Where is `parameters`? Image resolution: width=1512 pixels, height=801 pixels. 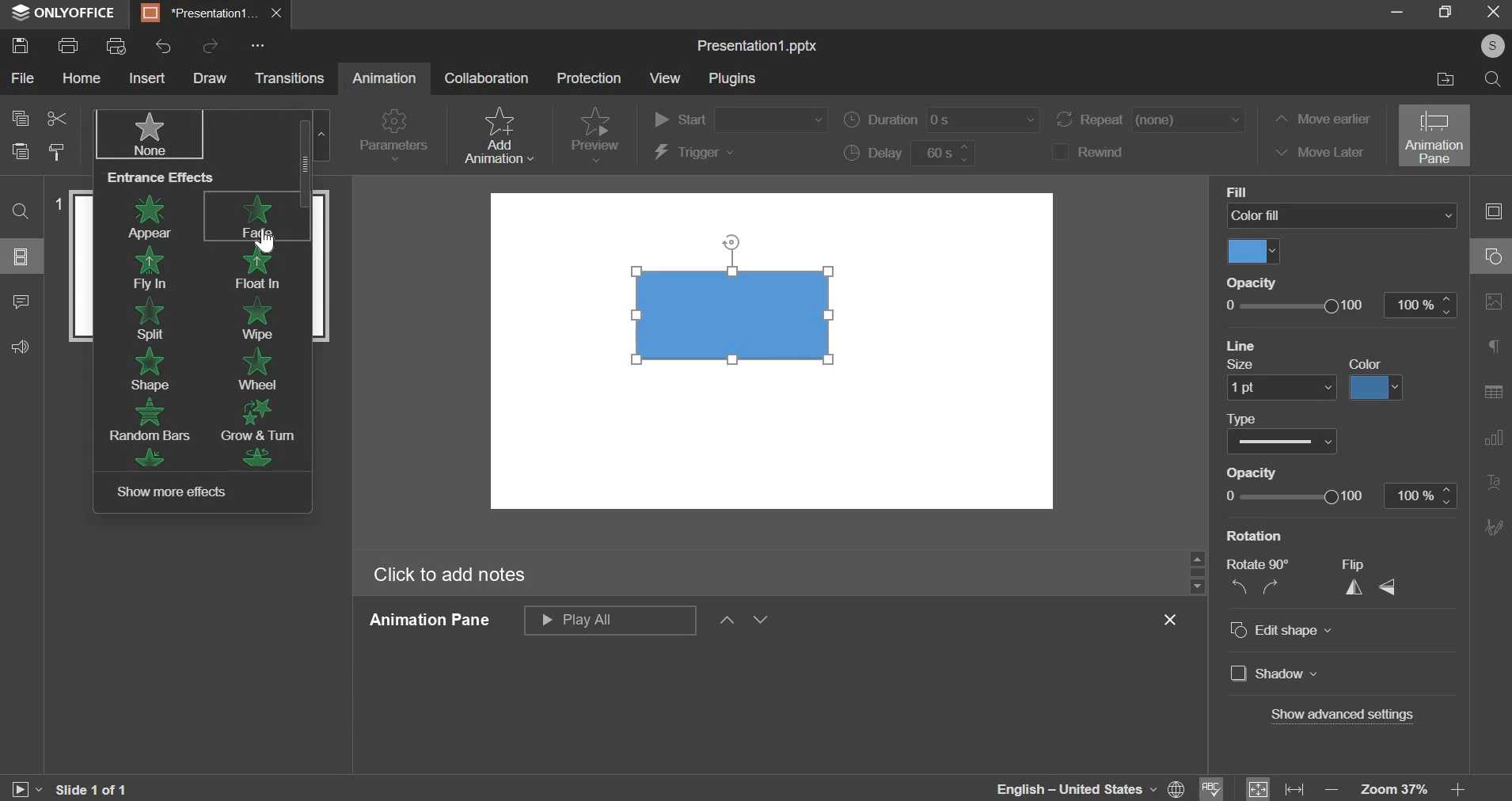
parameters is located at coordinates (396, 133).